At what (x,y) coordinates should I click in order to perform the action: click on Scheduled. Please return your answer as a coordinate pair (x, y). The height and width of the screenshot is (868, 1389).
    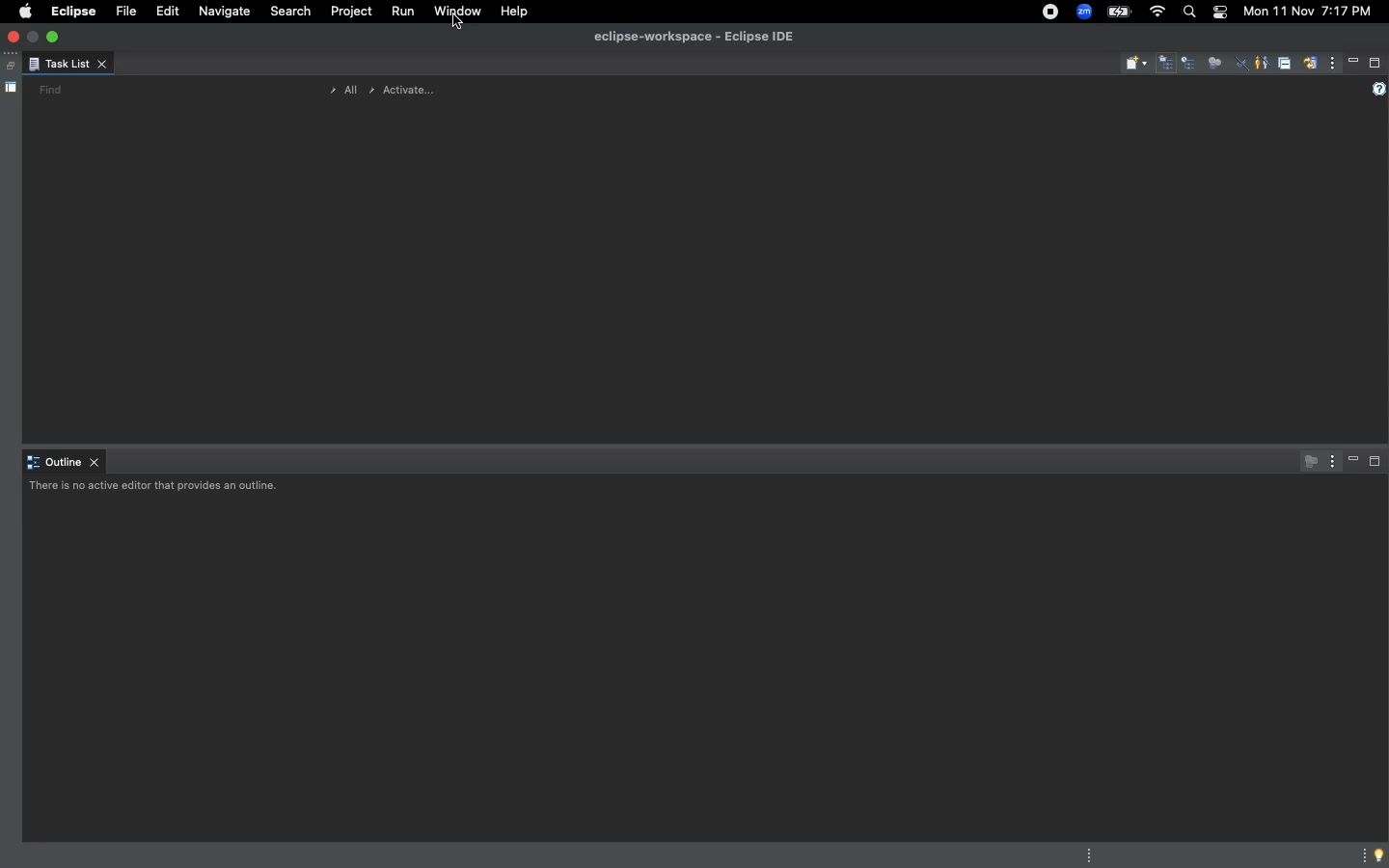
    Looking at the image, I should click on (1190, 65).